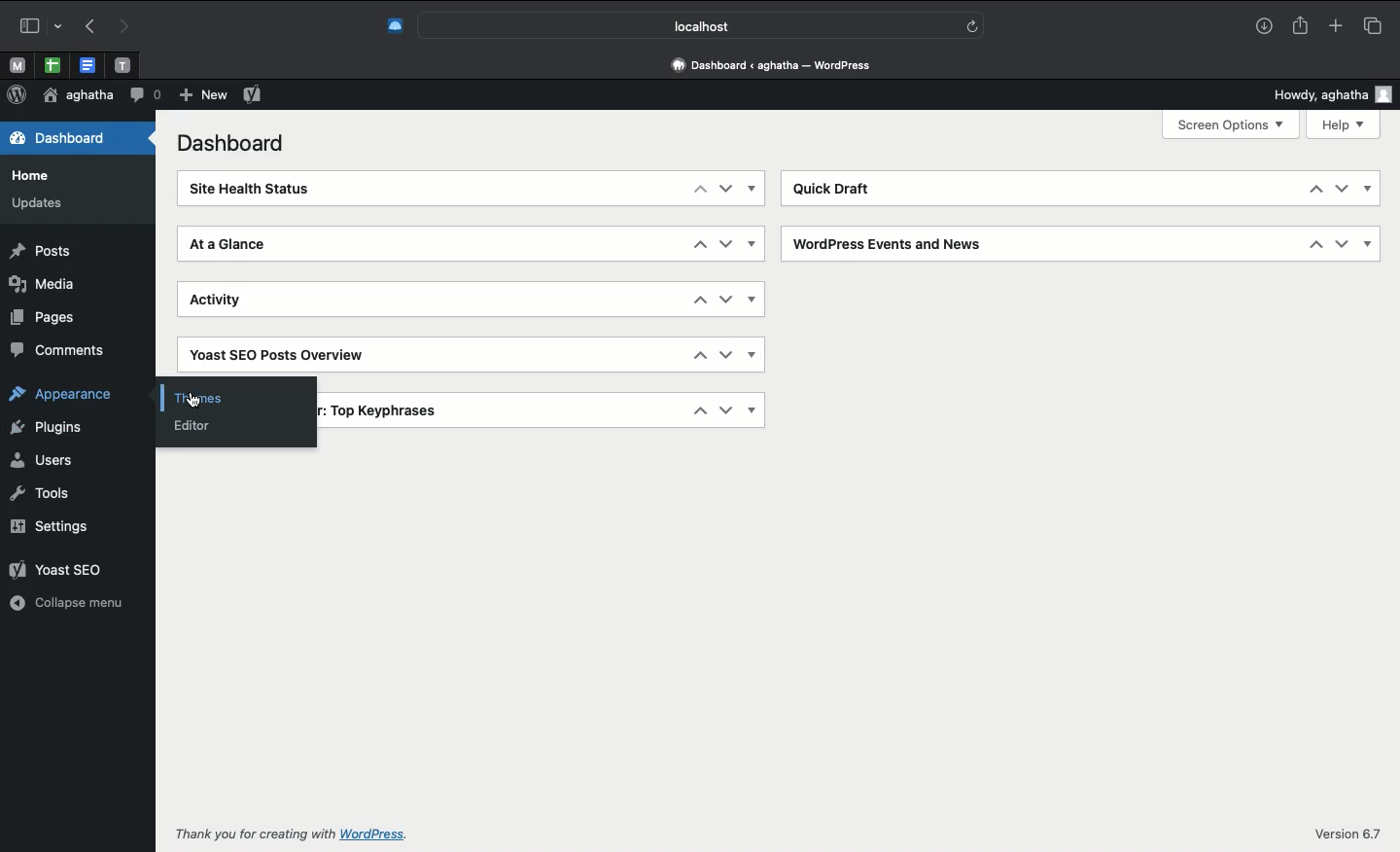 Image resolution: width=1400 pixels, height=852 pixels. What do you see at coordinates (1300, 26) in the screenshot?
I see `Share` at bounding box center [1300, 26].